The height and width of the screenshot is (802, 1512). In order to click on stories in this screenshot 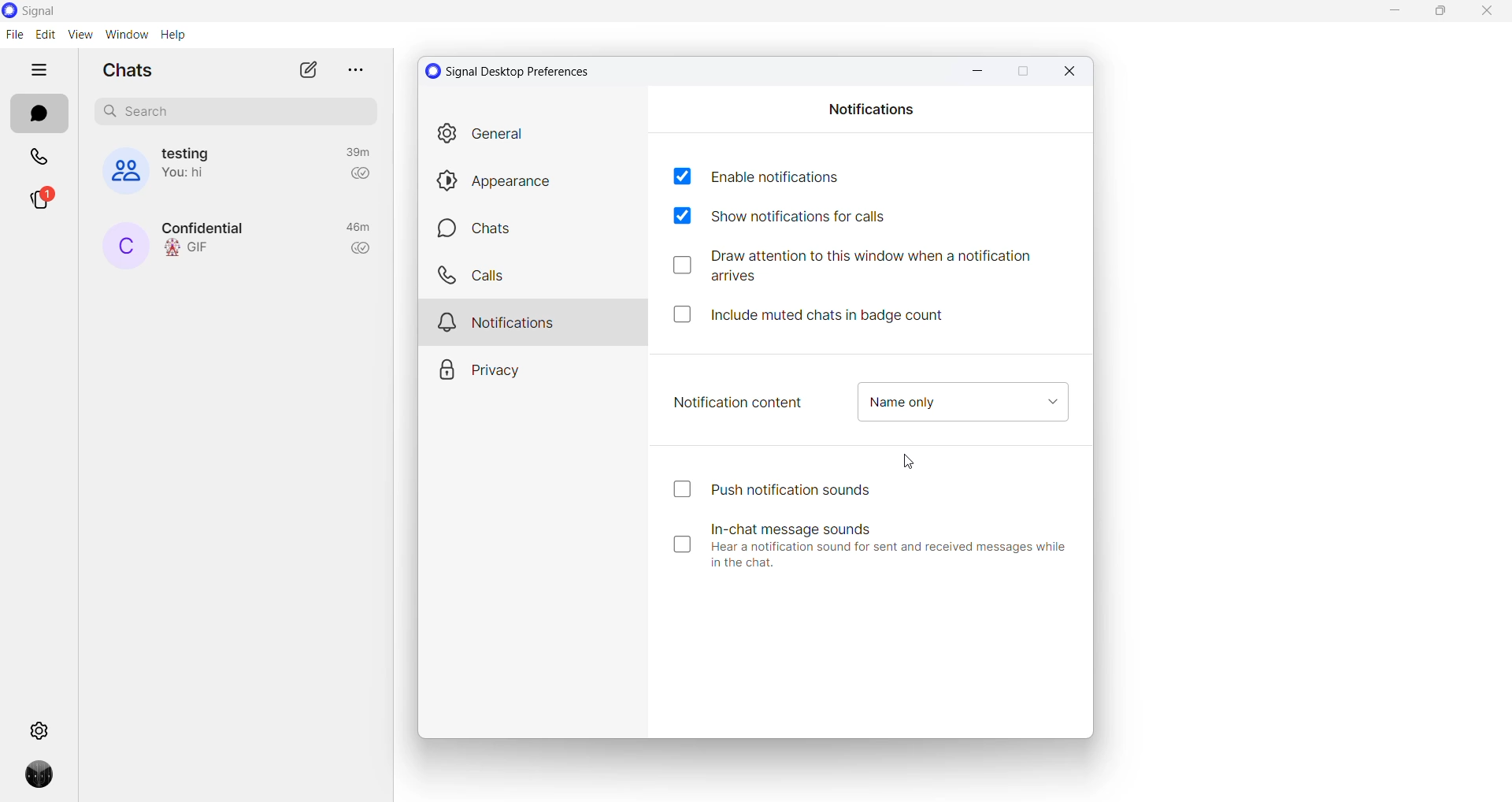, I will do `click(39, 204)`.